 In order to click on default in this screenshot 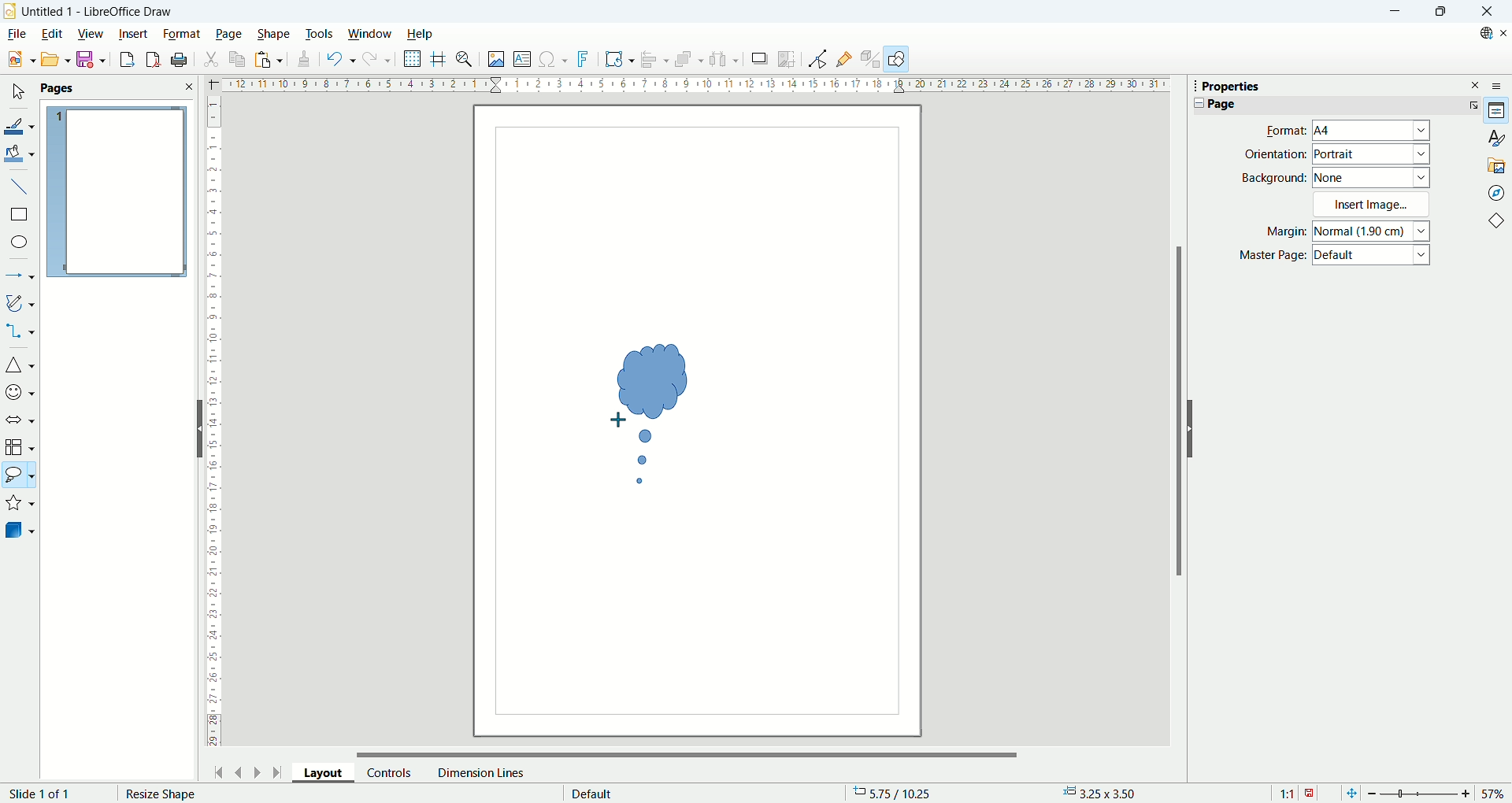, I will do `click(592, 791)`.